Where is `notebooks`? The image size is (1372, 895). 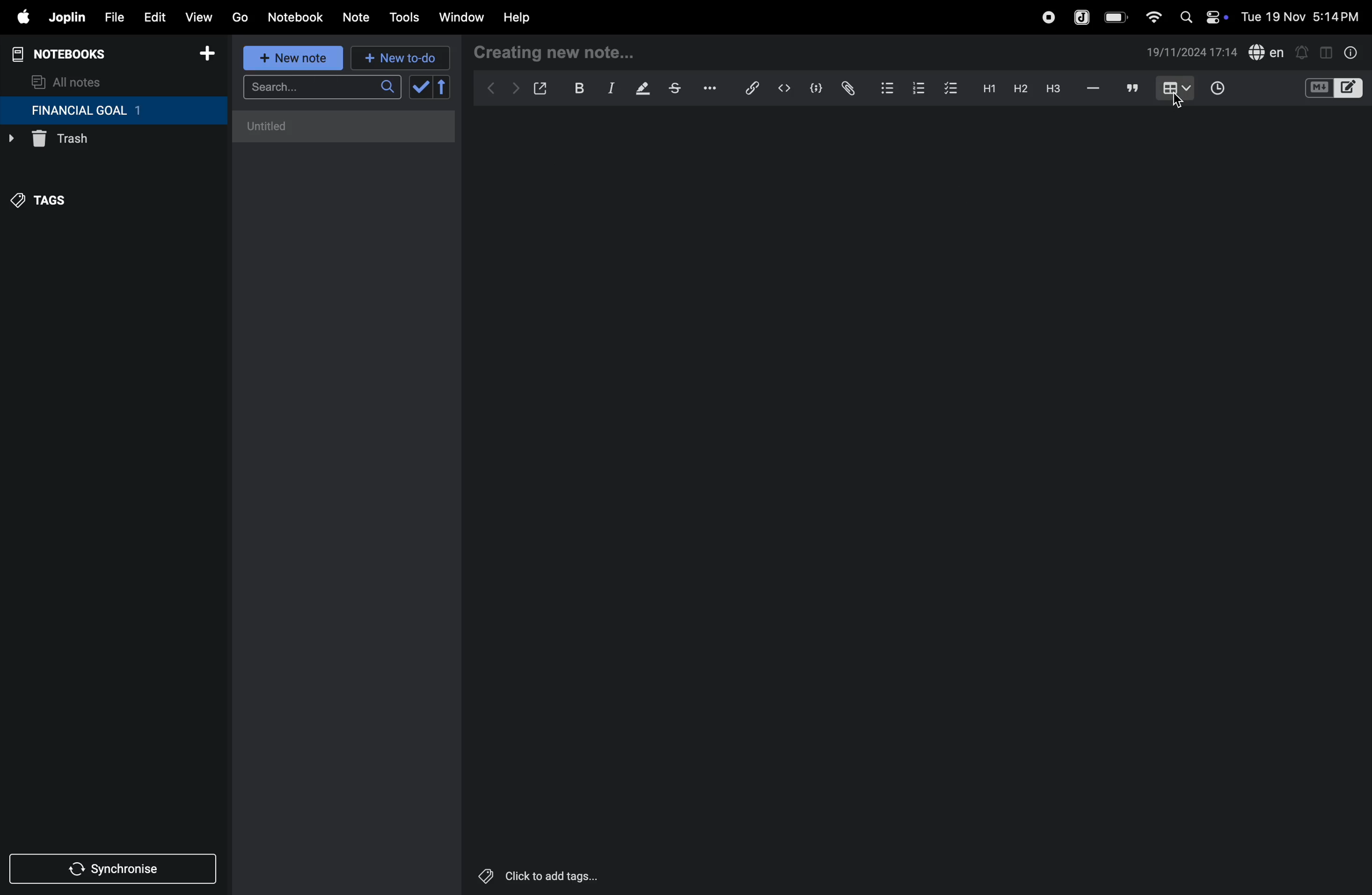
notebooks is located at coordinates (69, 54).